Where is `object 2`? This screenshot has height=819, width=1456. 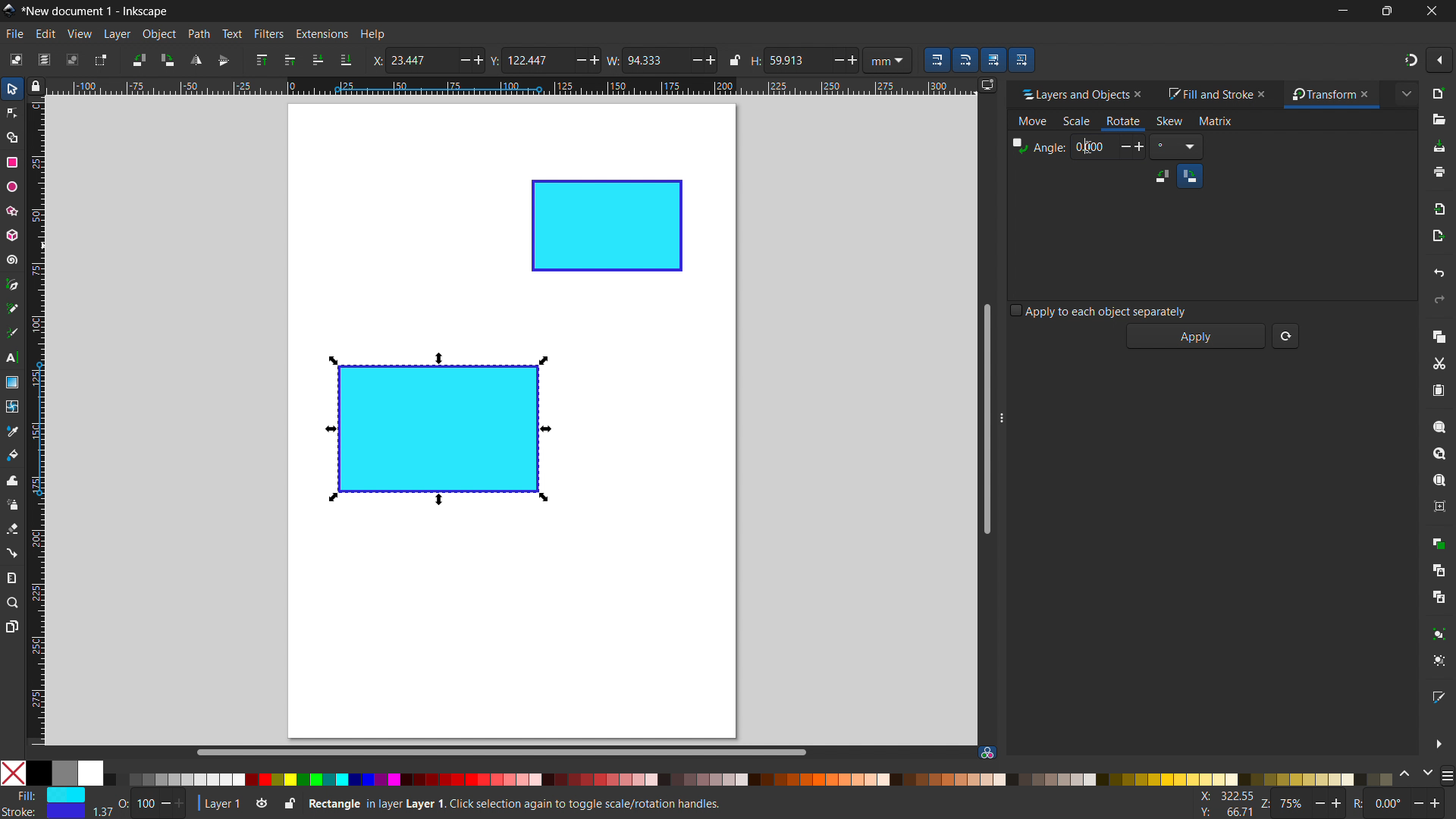 object 2 is located at coordinates (607, 226).